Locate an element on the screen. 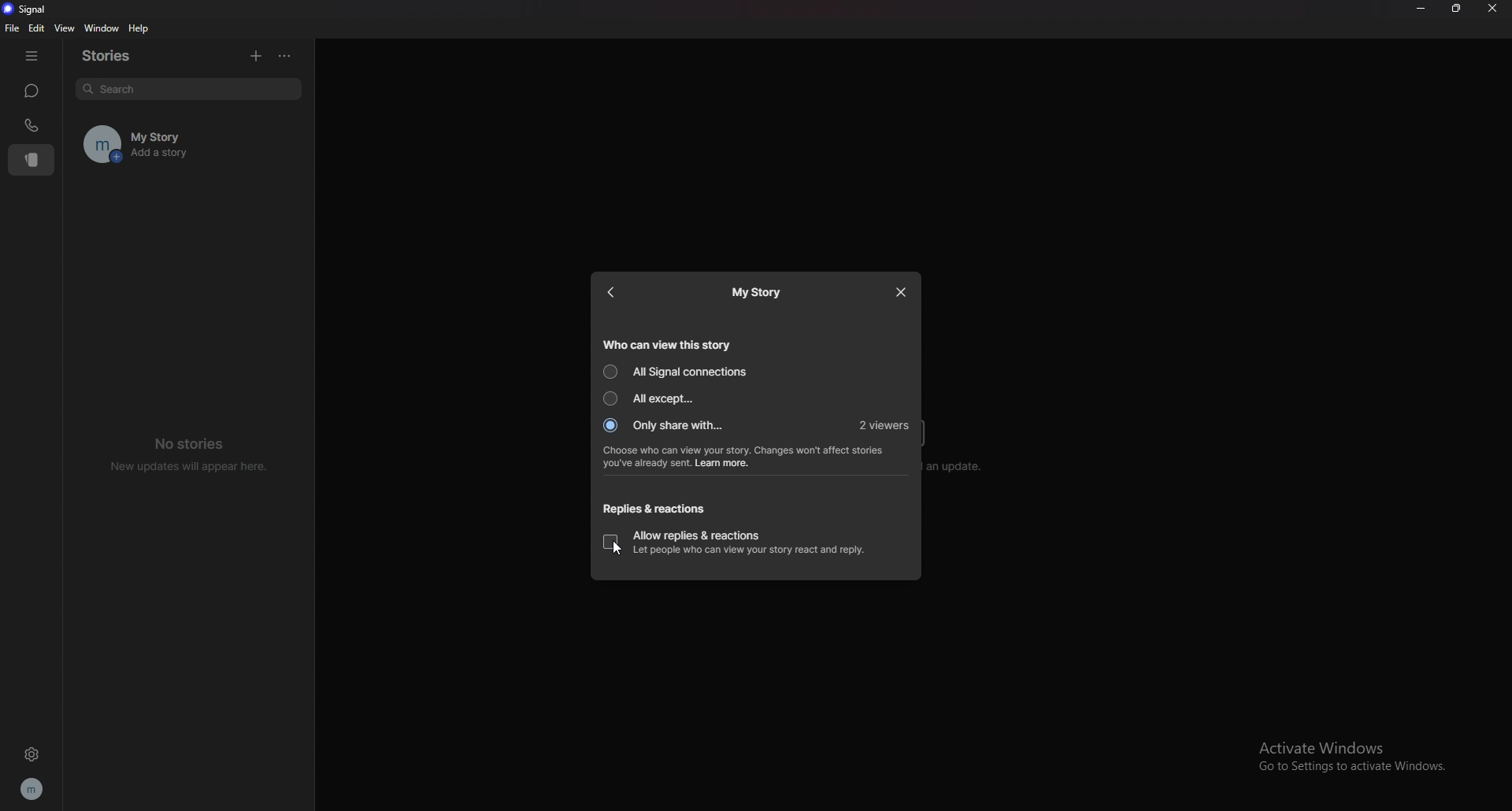 This screenshot has width=1512, height=811. all signal connections is located at coordinates (677, 371).